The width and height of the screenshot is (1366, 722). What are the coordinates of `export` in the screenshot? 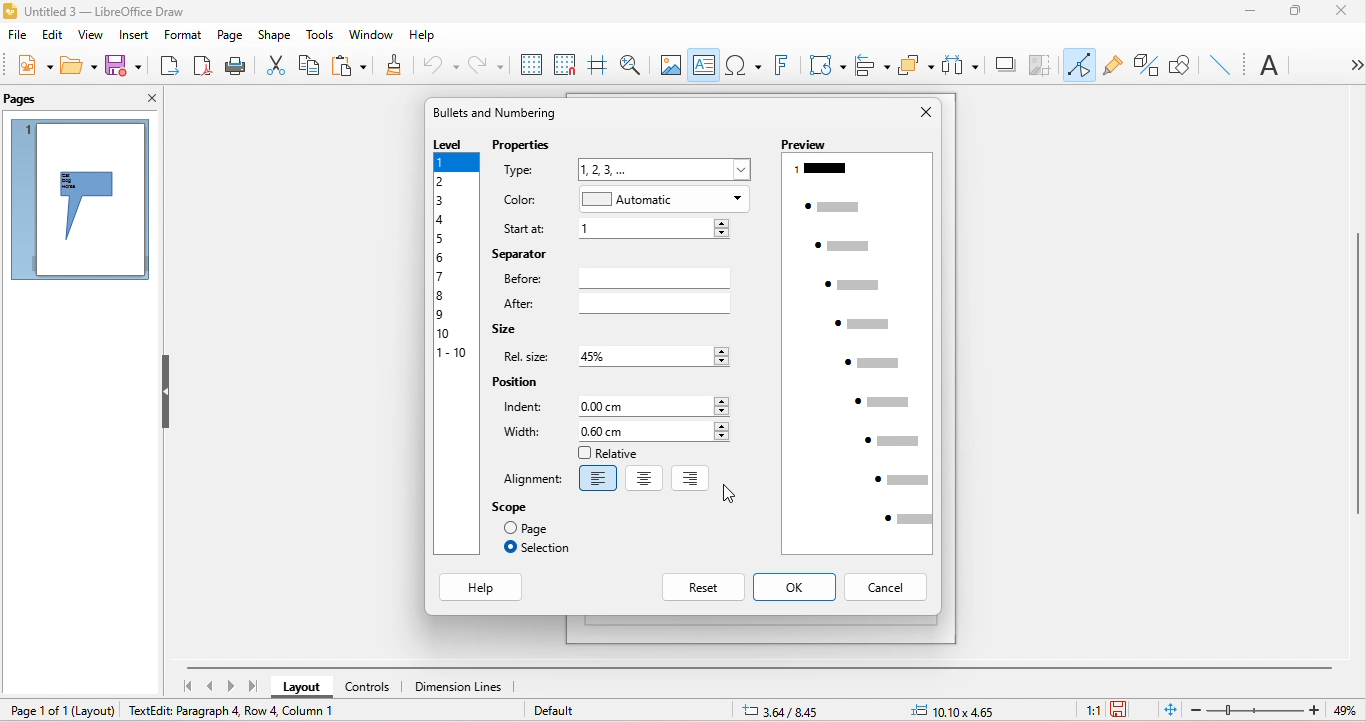 It's located at (167, 67).